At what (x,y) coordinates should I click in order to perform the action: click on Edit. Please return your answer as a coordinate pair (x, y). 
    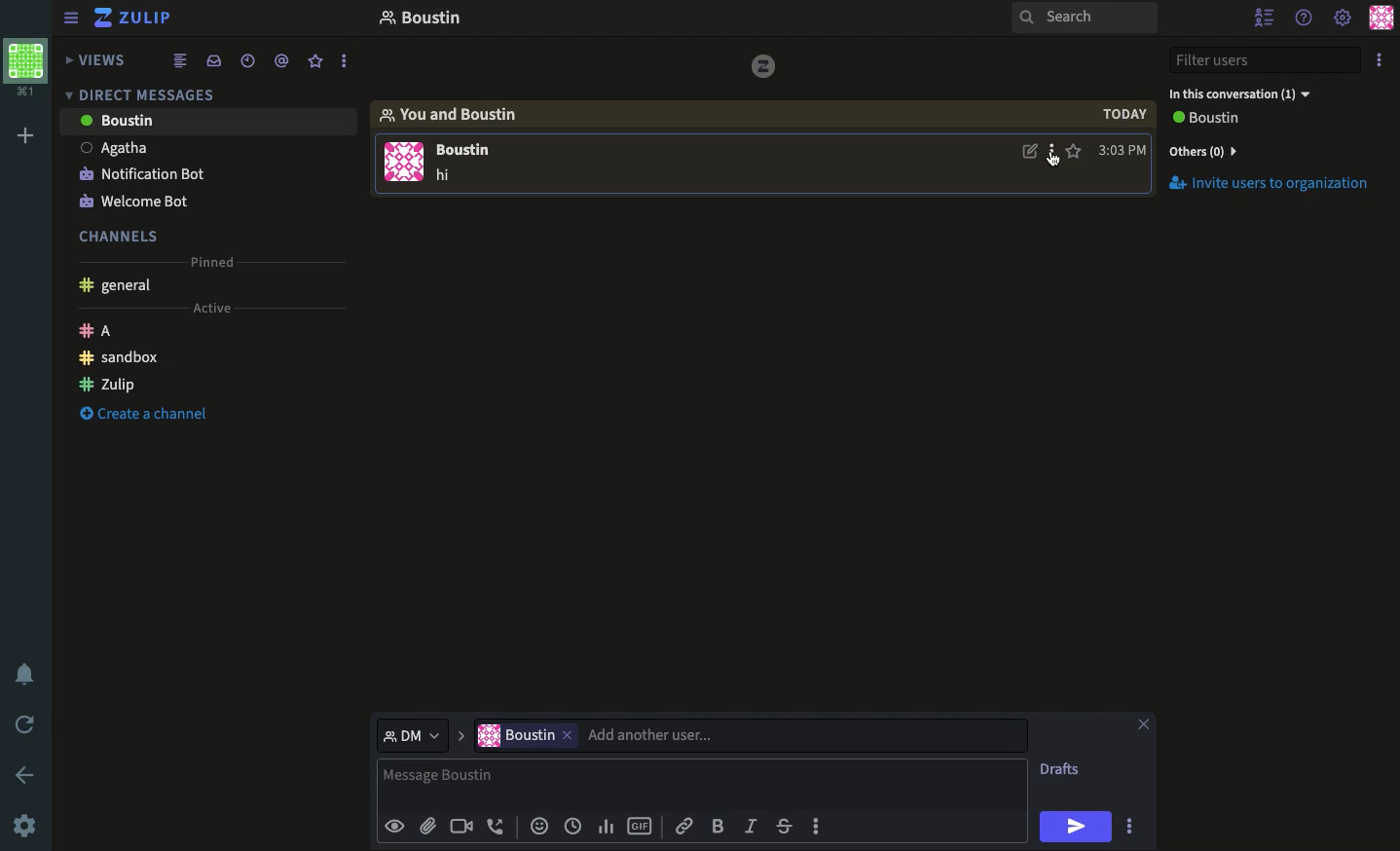
    Looking at the image, I should click on (1030, 154).